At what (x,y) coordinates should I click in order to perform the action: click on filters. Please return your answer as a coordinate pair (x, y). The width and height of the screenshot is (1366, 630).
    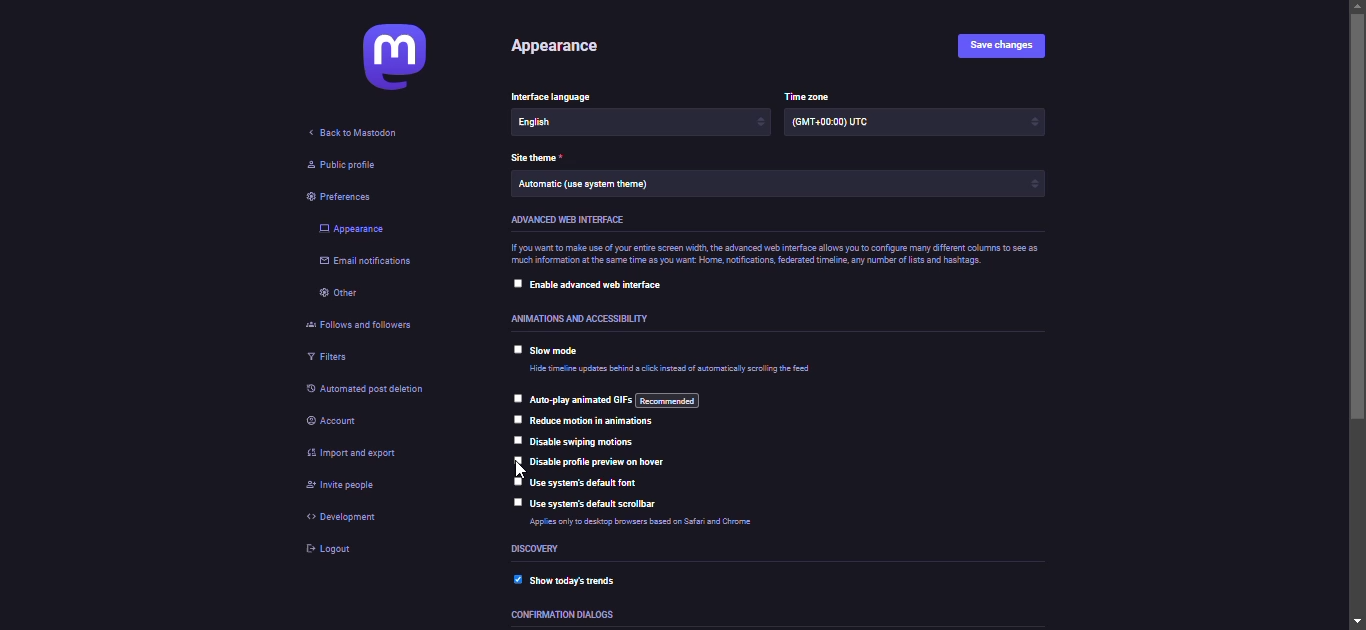
    Looking at the image, I should click on (328, 357).